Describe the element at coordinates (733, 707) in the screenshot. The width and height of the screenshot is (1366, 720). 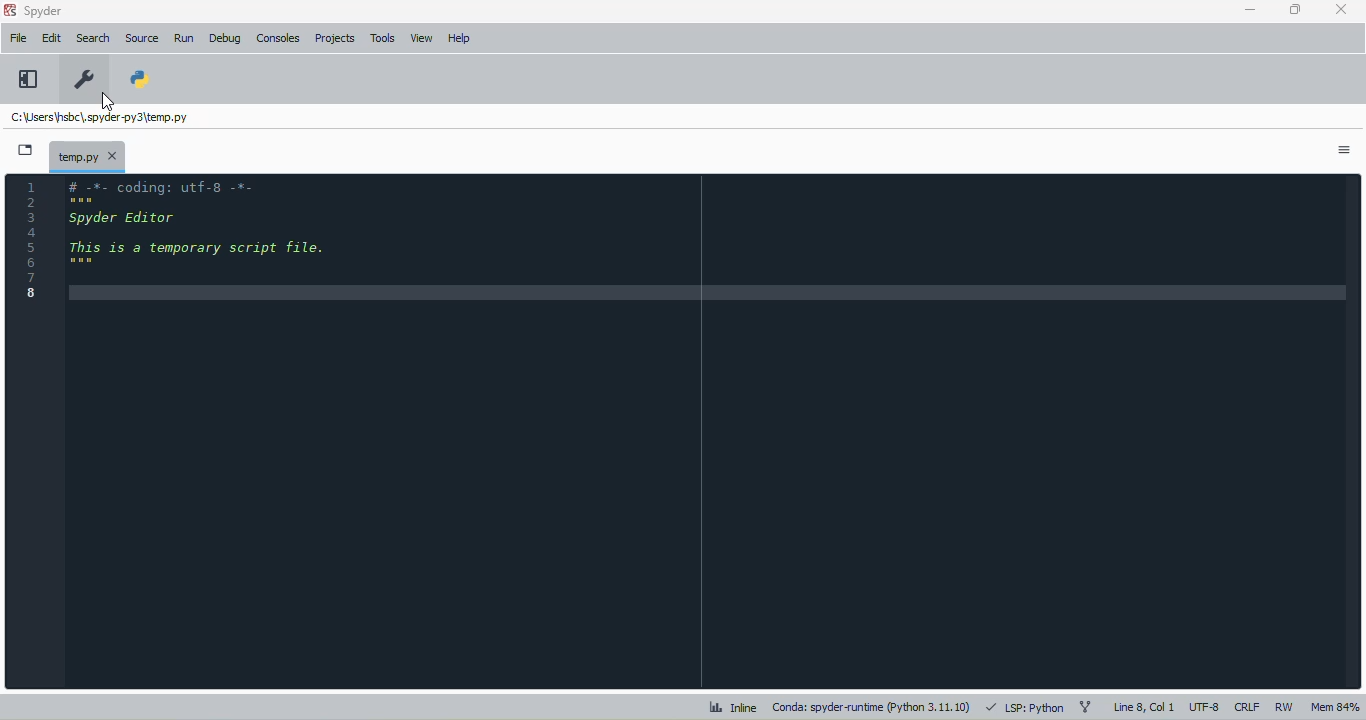
I see `inline` at that location.